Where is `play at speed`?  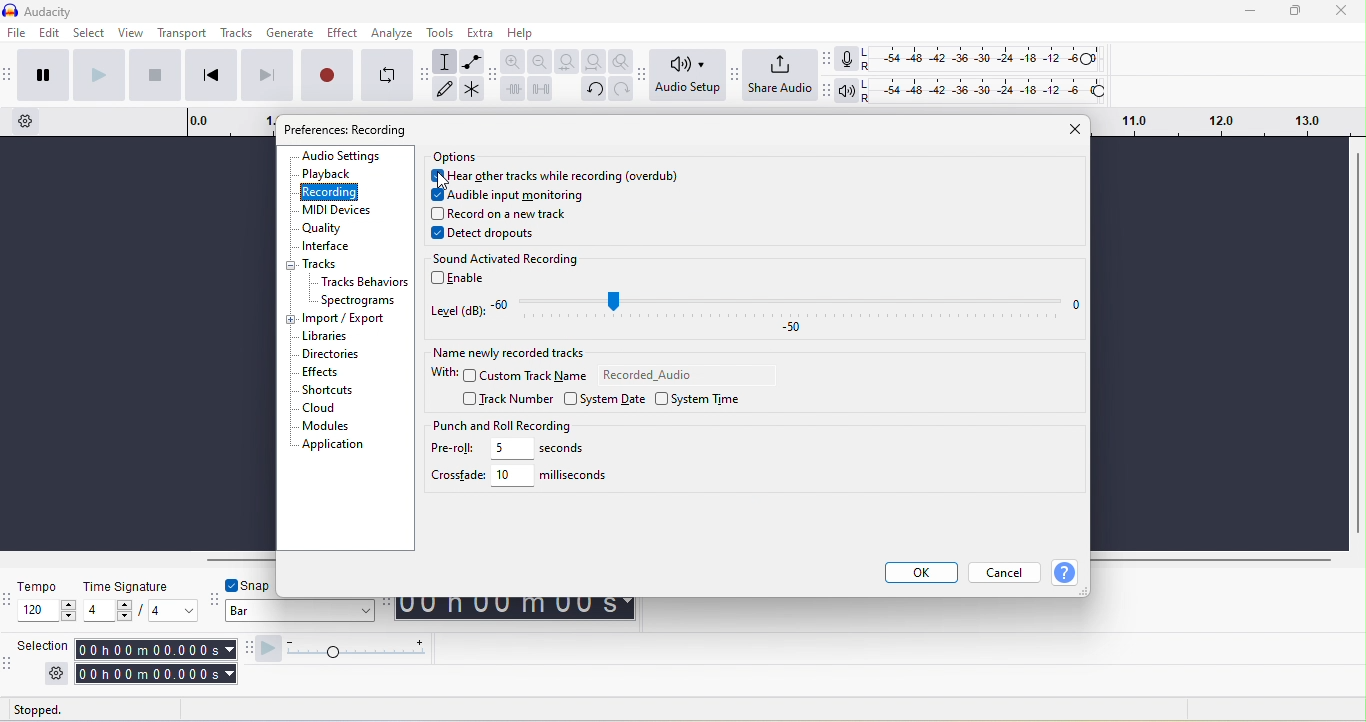 play at speed is located at coordinates (355, 649).